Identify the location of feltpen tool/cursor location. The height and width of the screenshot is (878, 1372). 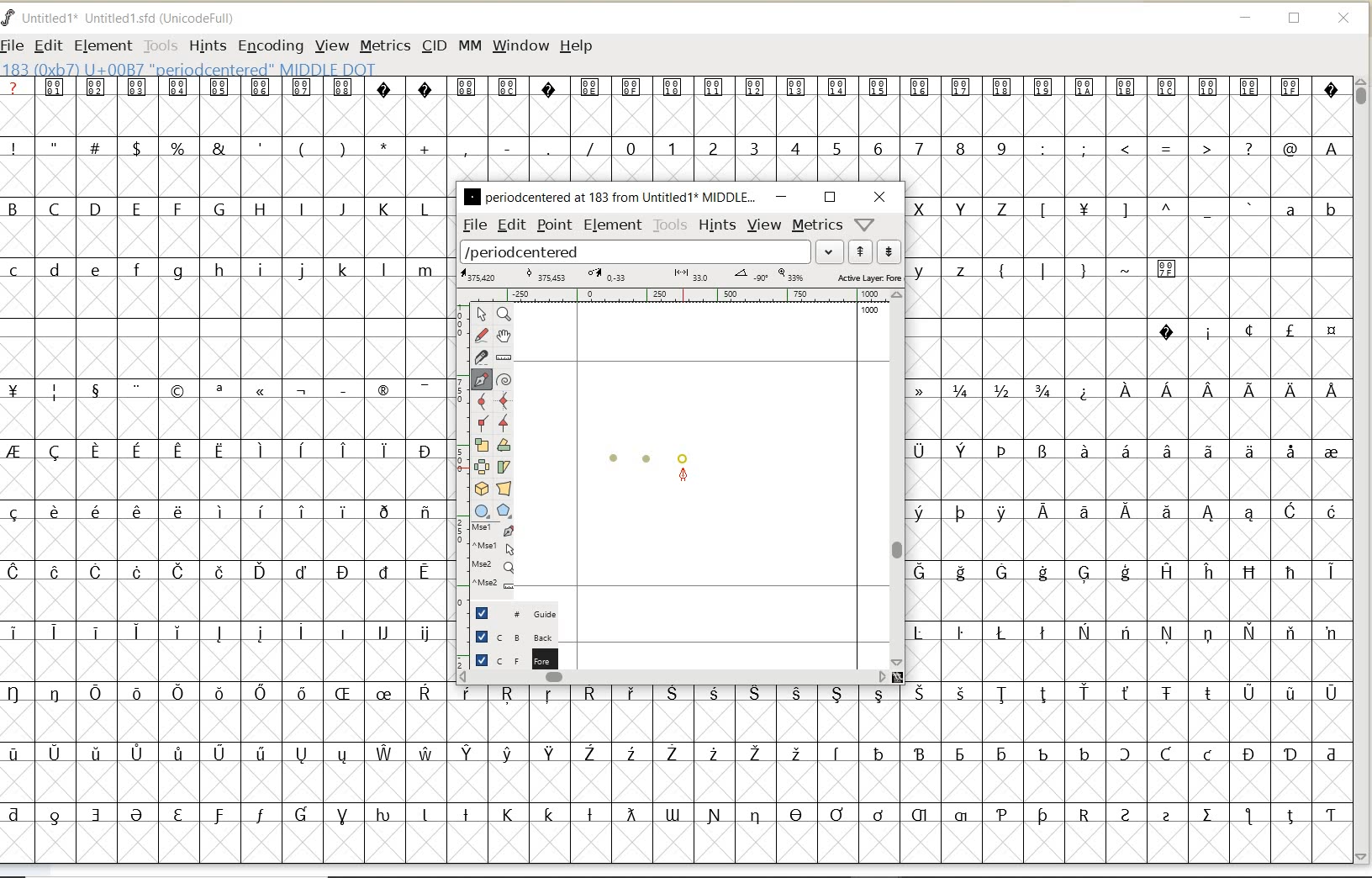
(683, 475).